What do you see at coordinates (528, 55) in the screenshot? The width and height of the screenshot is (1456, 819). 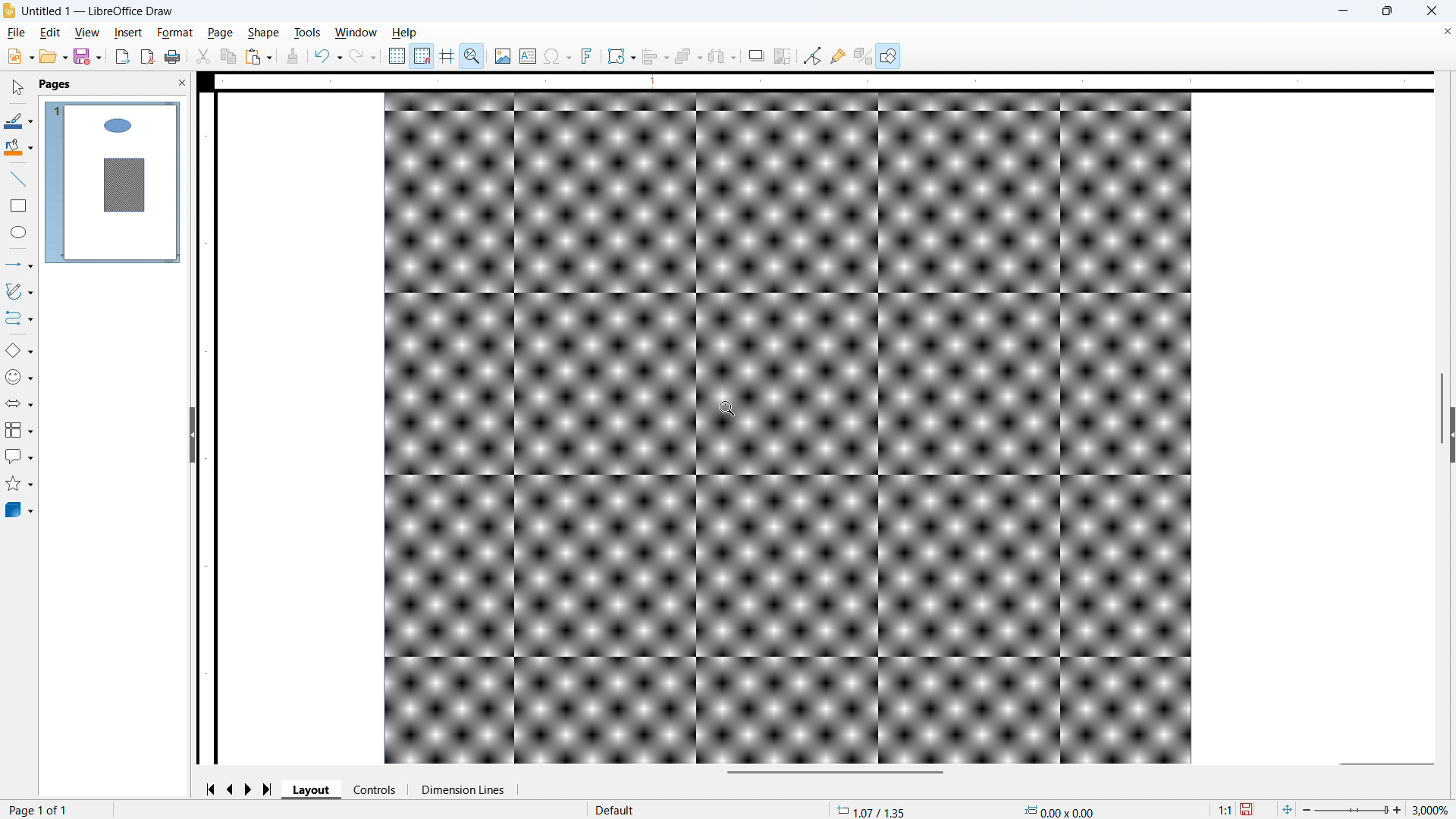 I see `Insert text box ` at bounding box center [528, 55].